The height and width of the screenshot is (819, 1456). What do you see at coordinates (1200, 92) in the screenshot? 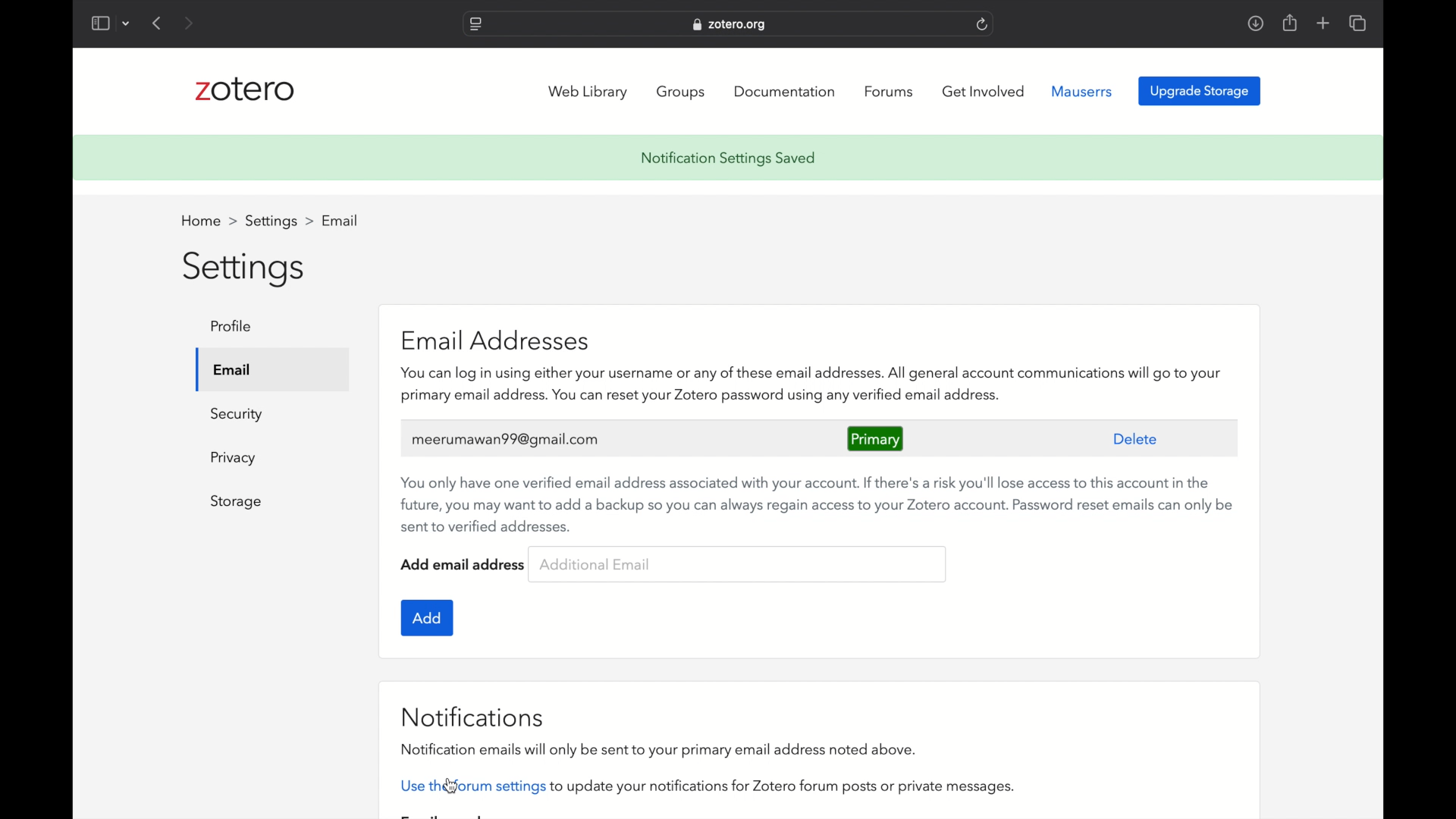
I see `upgrade storage` at bounding box center [1200, 92].